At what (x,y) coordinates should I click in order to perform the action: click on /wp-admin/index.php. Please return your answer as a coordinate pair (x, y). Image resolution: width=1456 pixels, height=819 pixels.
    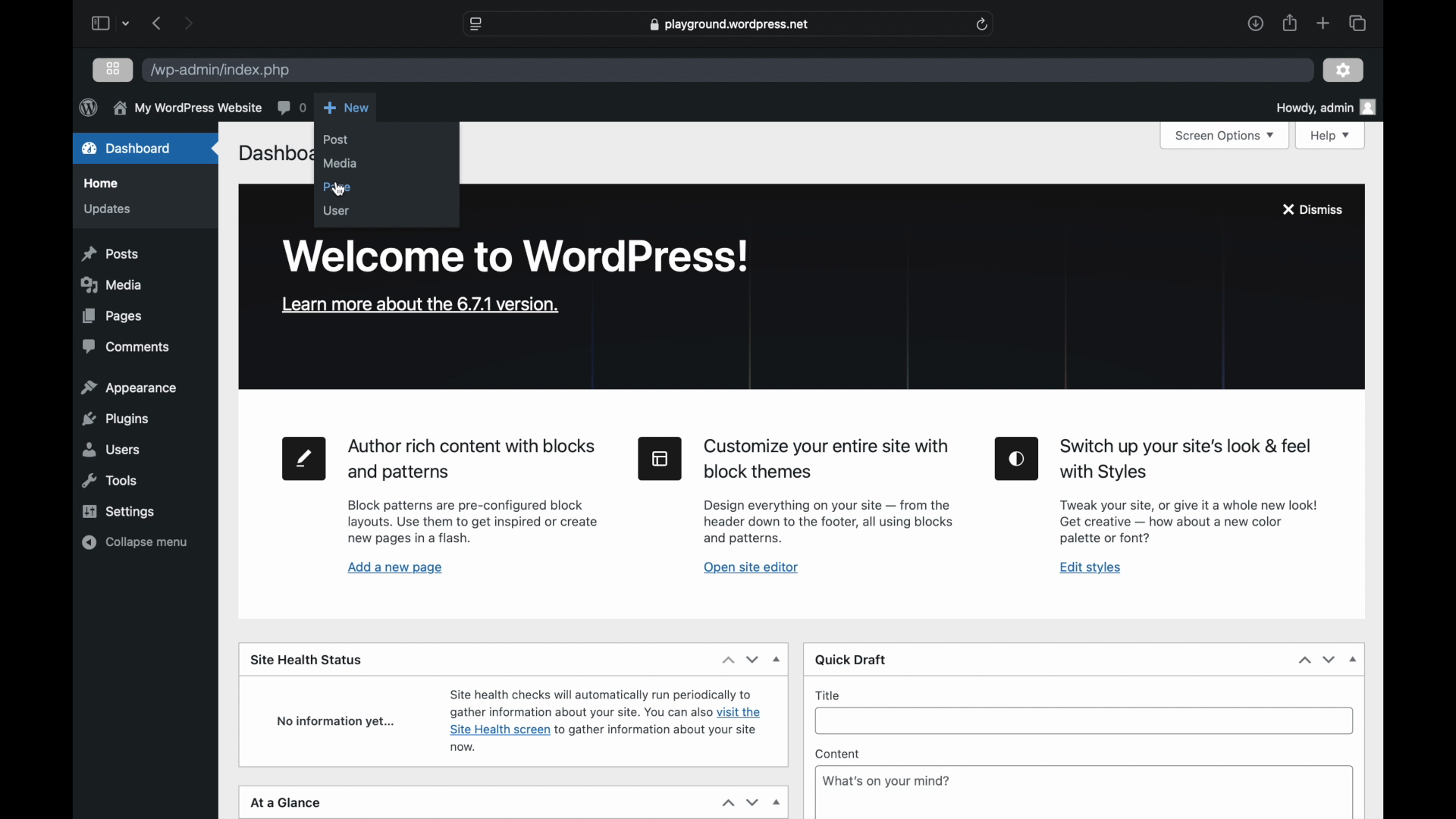
    Looking at the image, I should click on (224, 69).